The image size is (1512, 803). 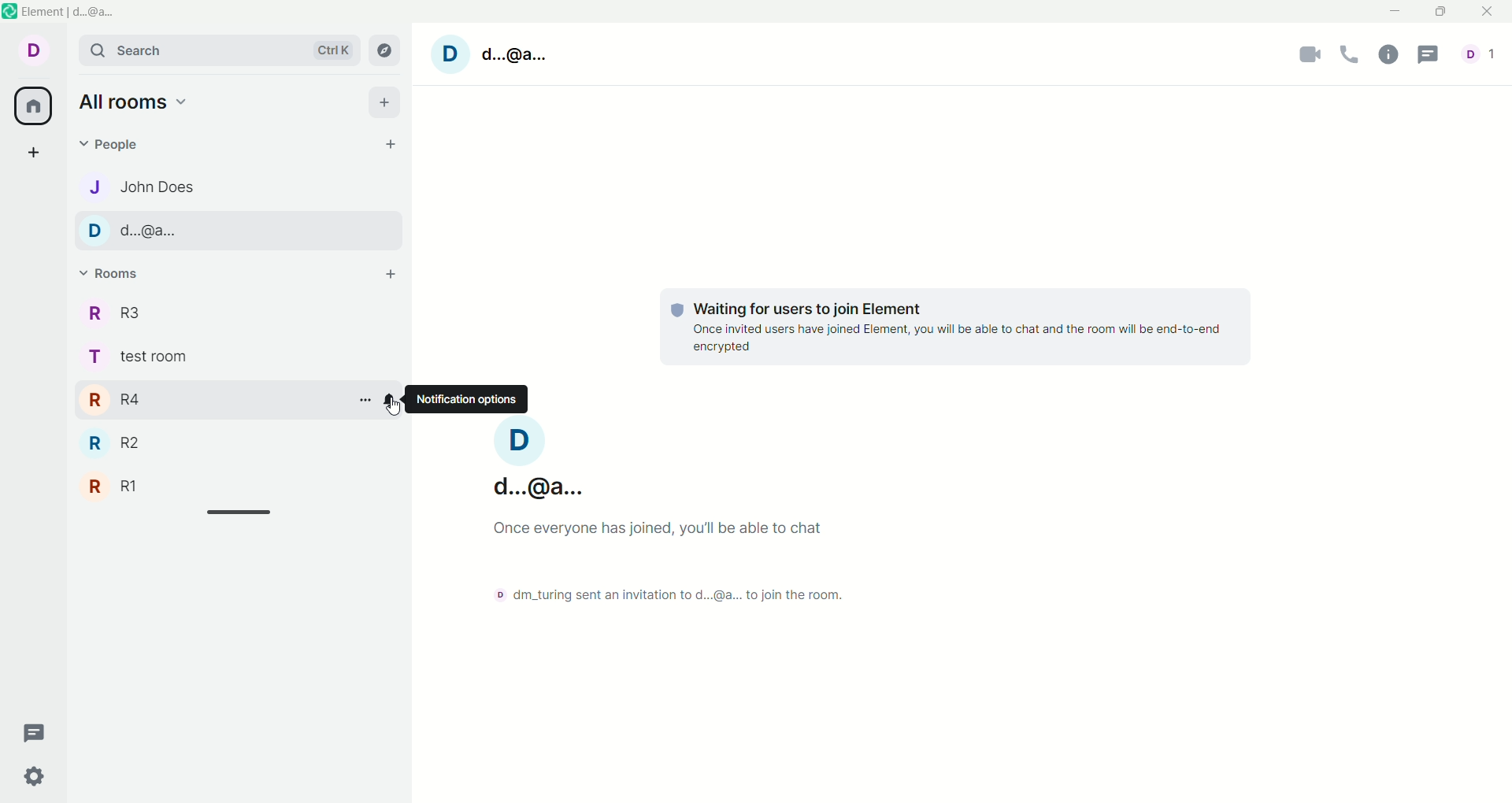 What do you see at coordinates (513, 55) in the screenshot?
I see `d...@a...` at bounding box center [513, 55].